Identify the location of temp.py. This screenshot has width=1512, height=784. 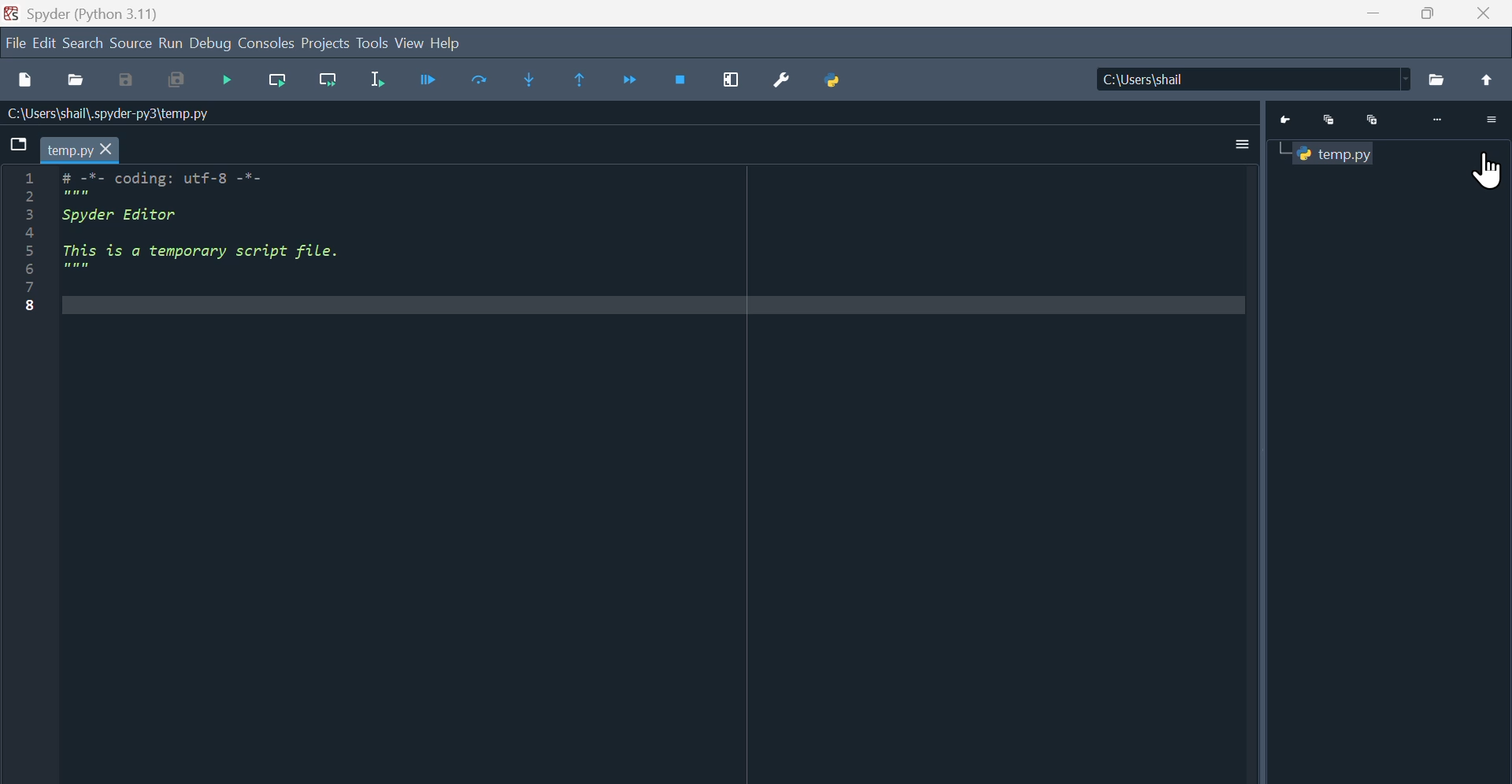
(71, 150).